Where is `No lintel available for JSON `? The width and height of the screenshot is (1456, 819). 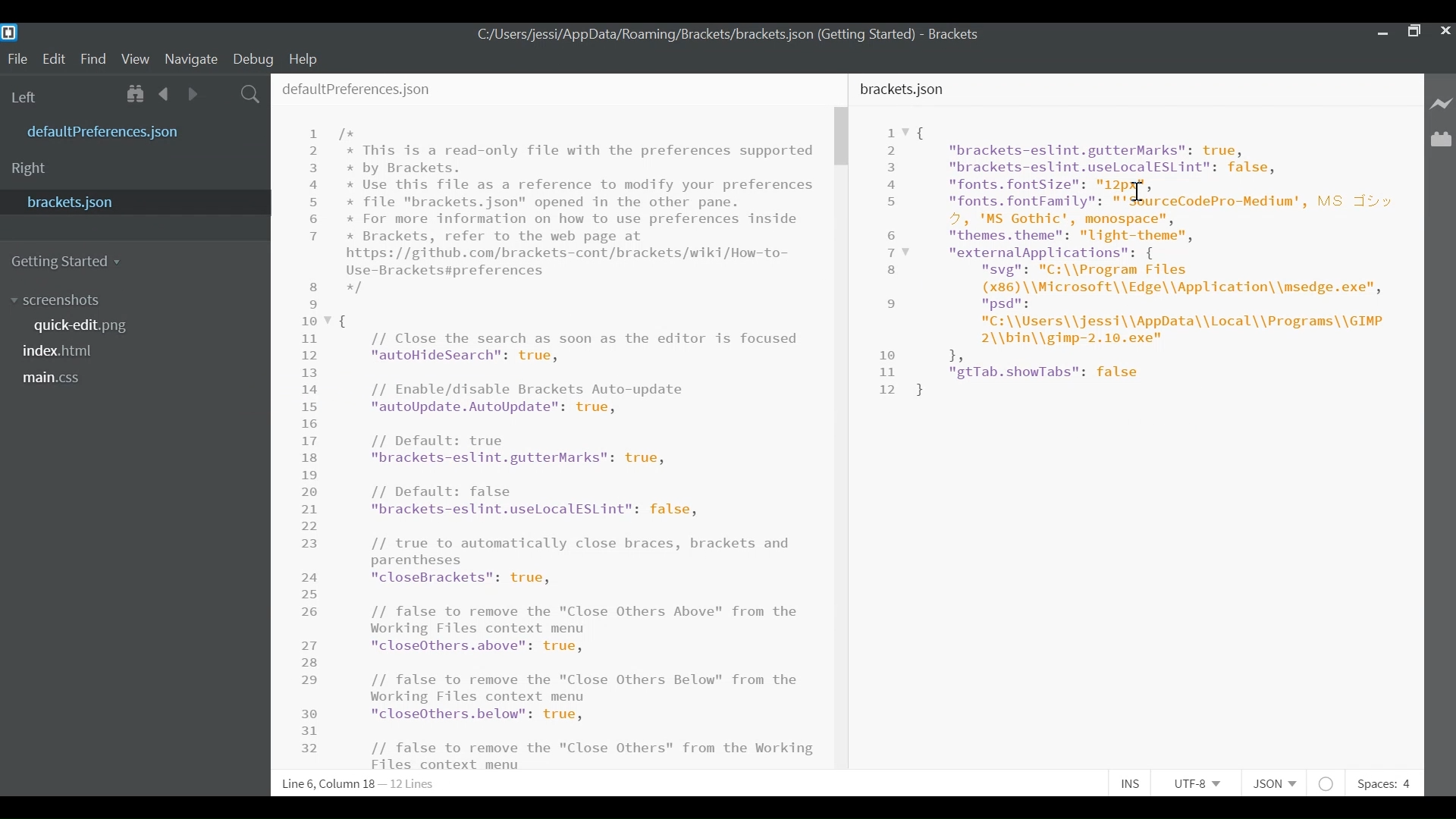
No lintel available for JSON  is located at coordinates (1327, 781).